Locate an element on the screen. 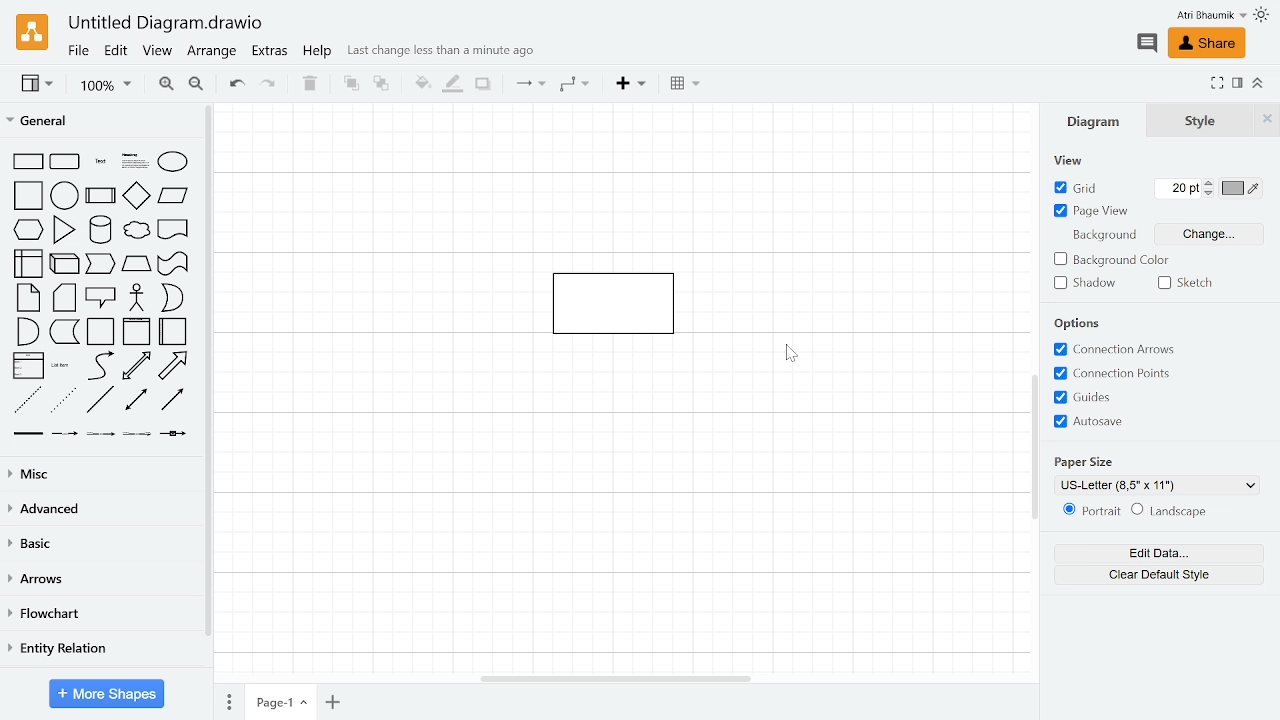 The width and height of the screenshot is (1280, 720). Advanced is located at coordinates (101, 509).